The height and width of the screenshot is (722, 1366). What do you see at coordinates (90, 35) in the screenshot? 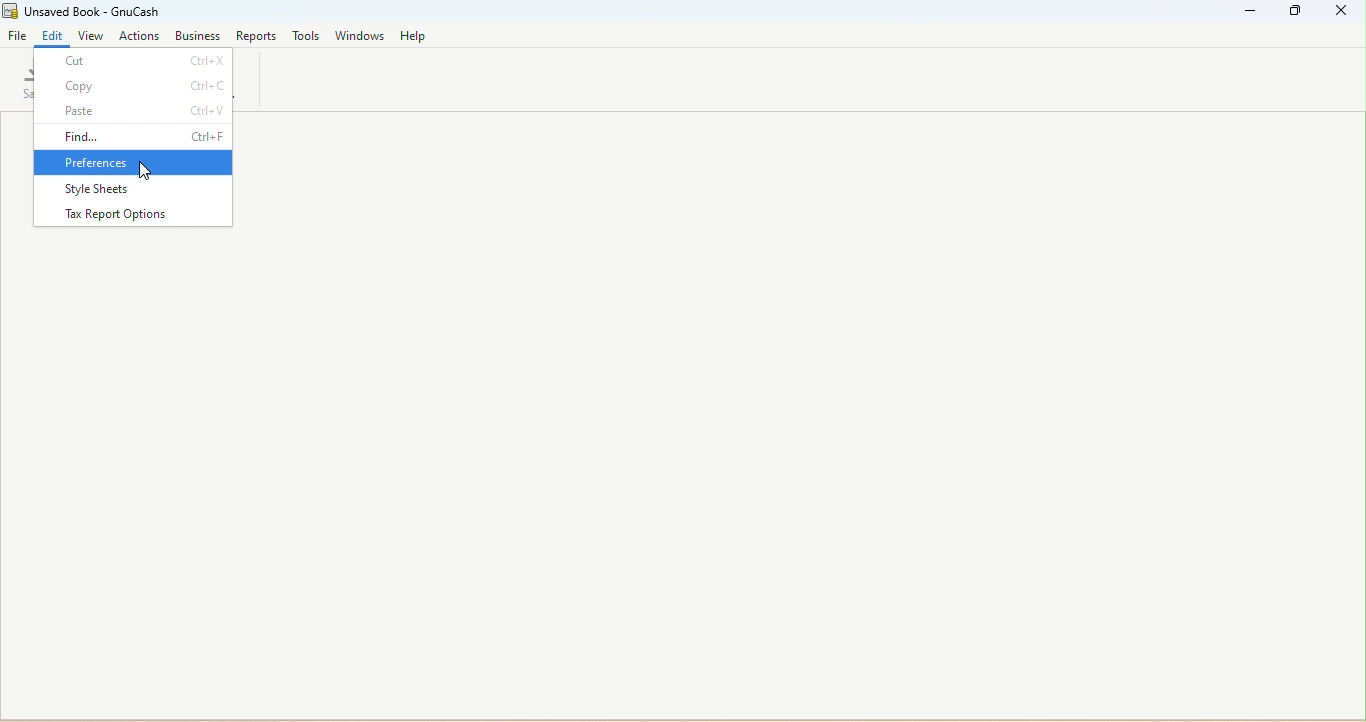
I see `view` at bounding box center [90, 35].